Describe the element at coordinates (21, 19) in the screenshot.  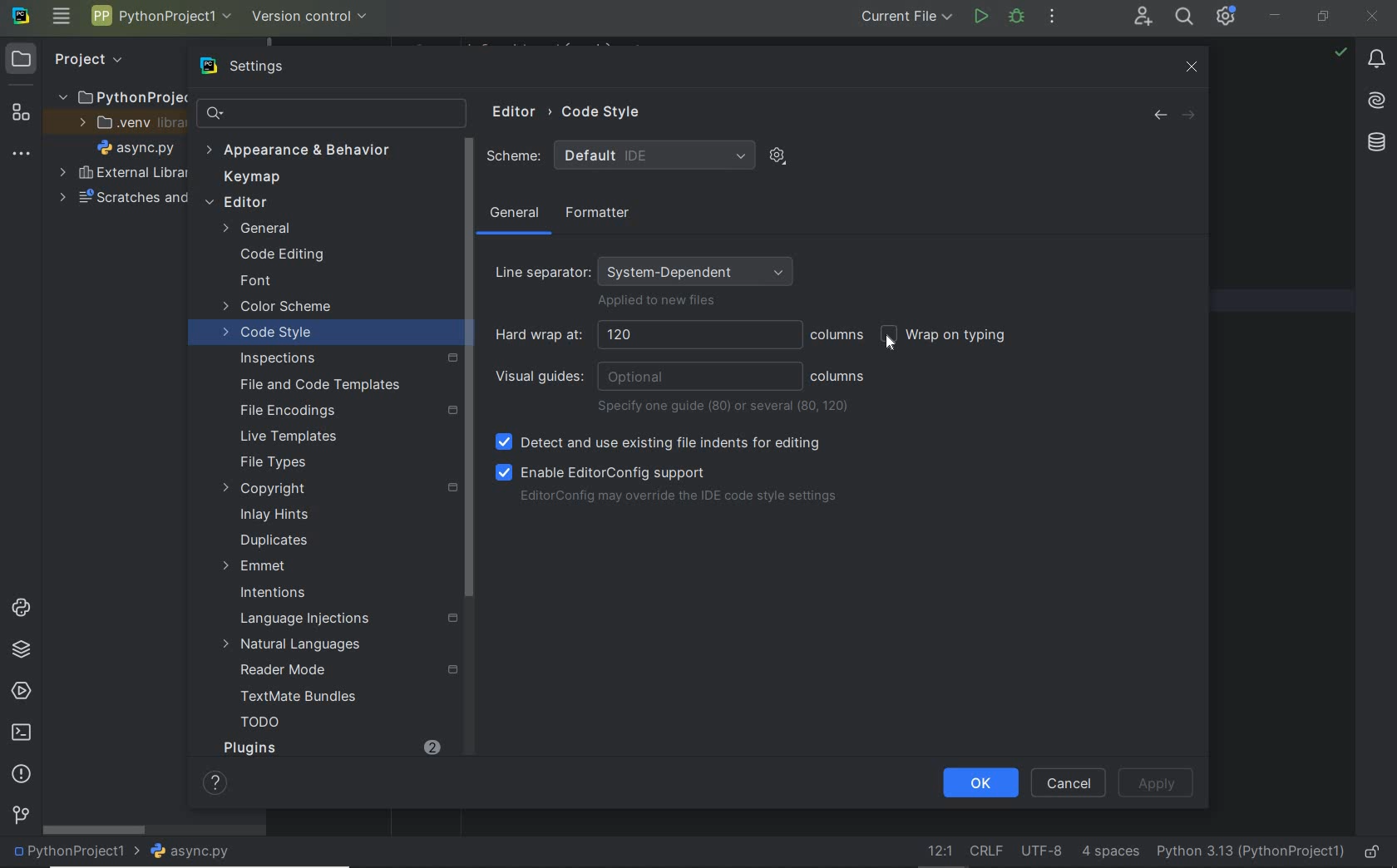
I see `system name` at that location.